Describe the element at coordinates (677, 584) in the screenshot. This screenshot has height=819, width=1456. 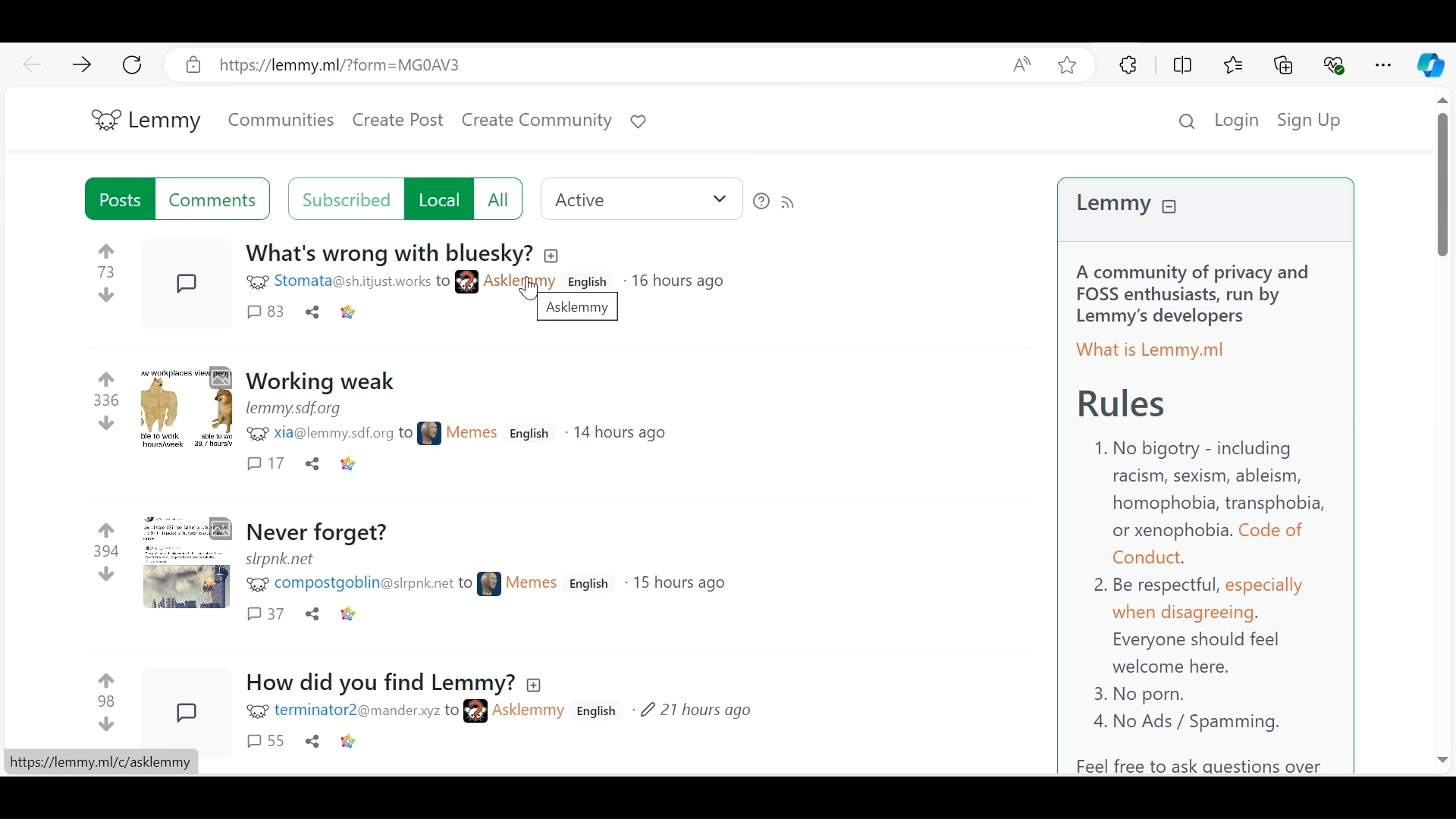
I see `Time posted` at that location.